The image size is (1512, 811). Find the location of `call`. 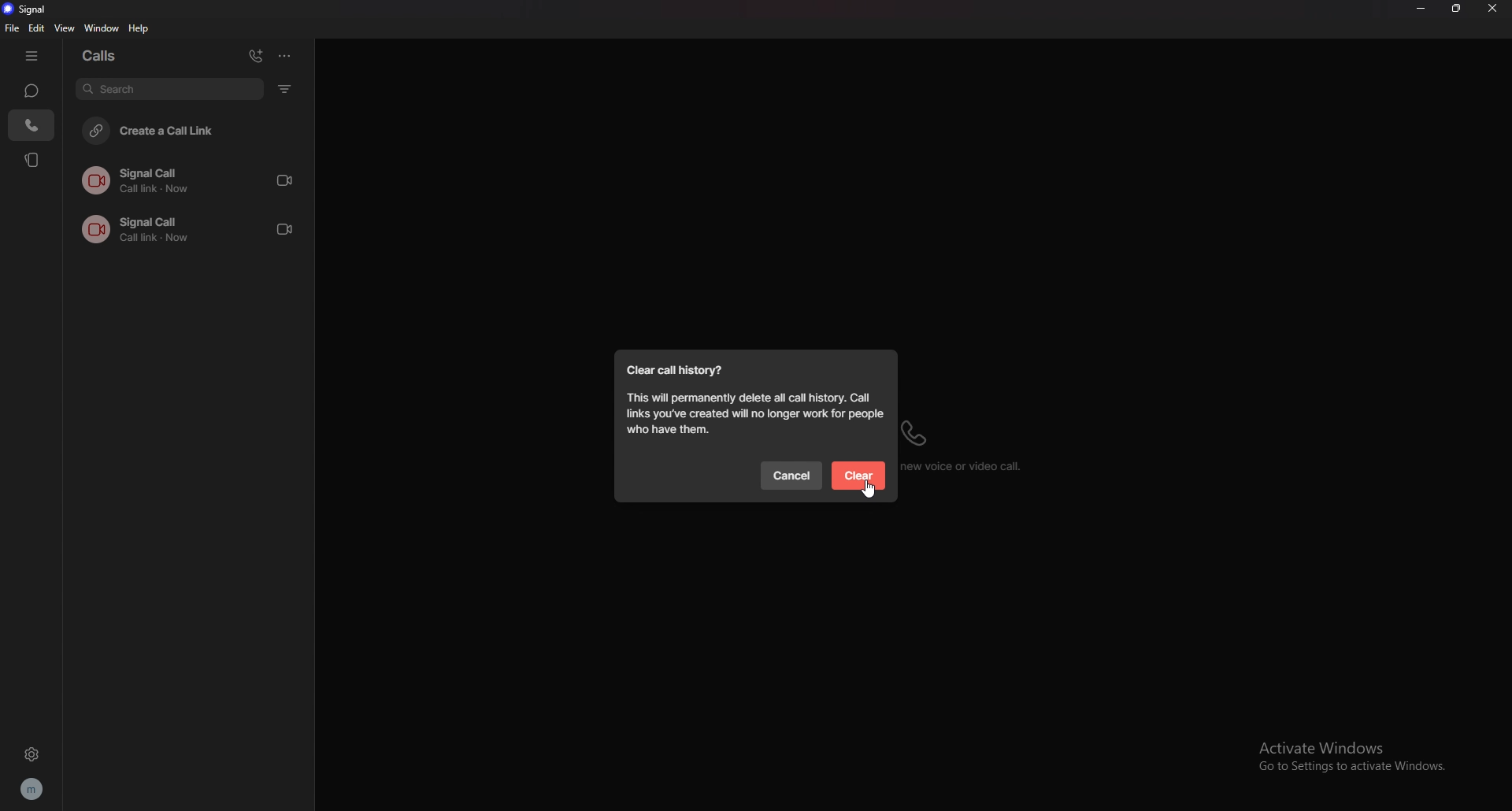

call is located at coordinates (191, 227).